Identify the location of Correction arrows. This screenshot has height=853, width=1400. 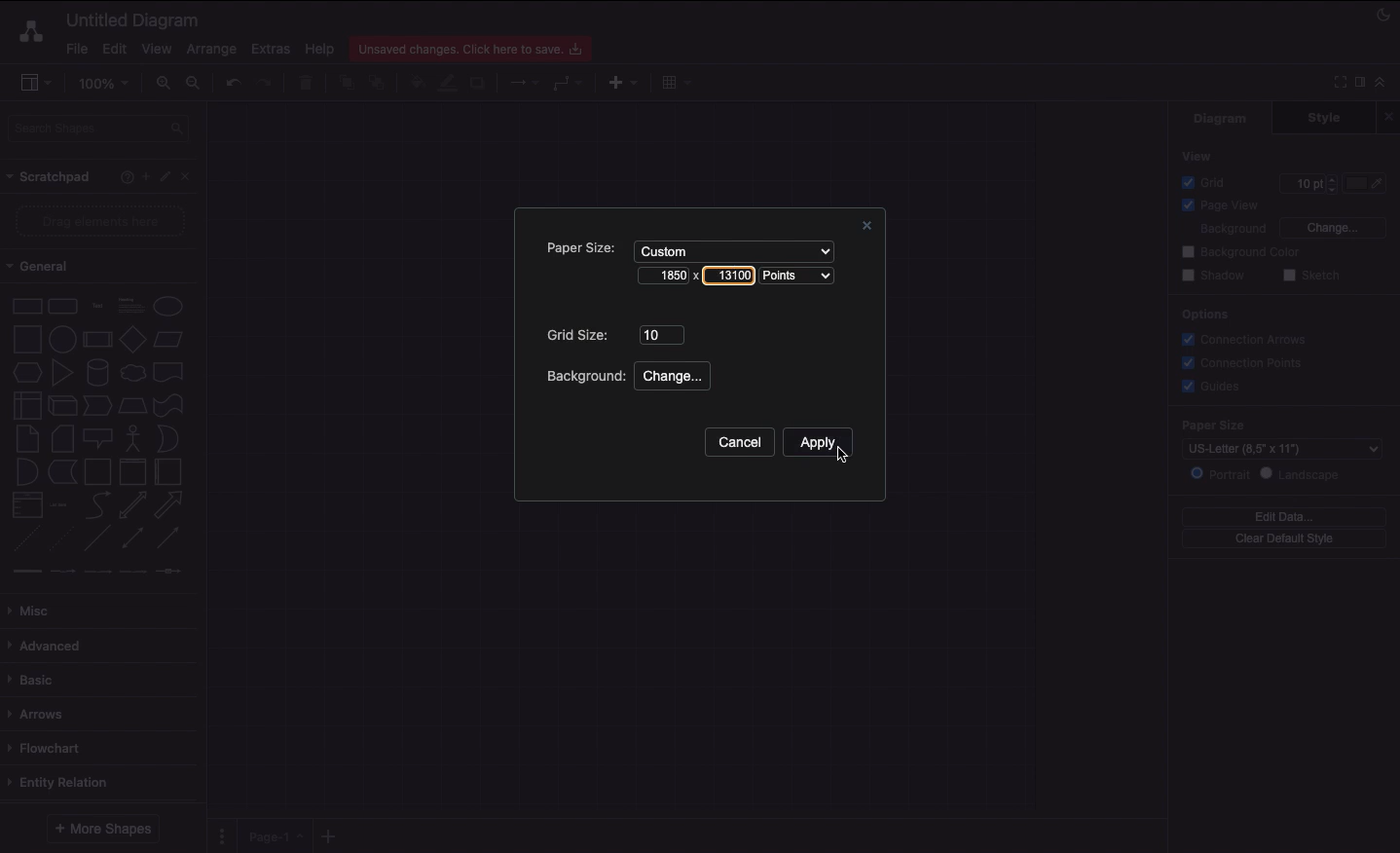
(1241, 338).